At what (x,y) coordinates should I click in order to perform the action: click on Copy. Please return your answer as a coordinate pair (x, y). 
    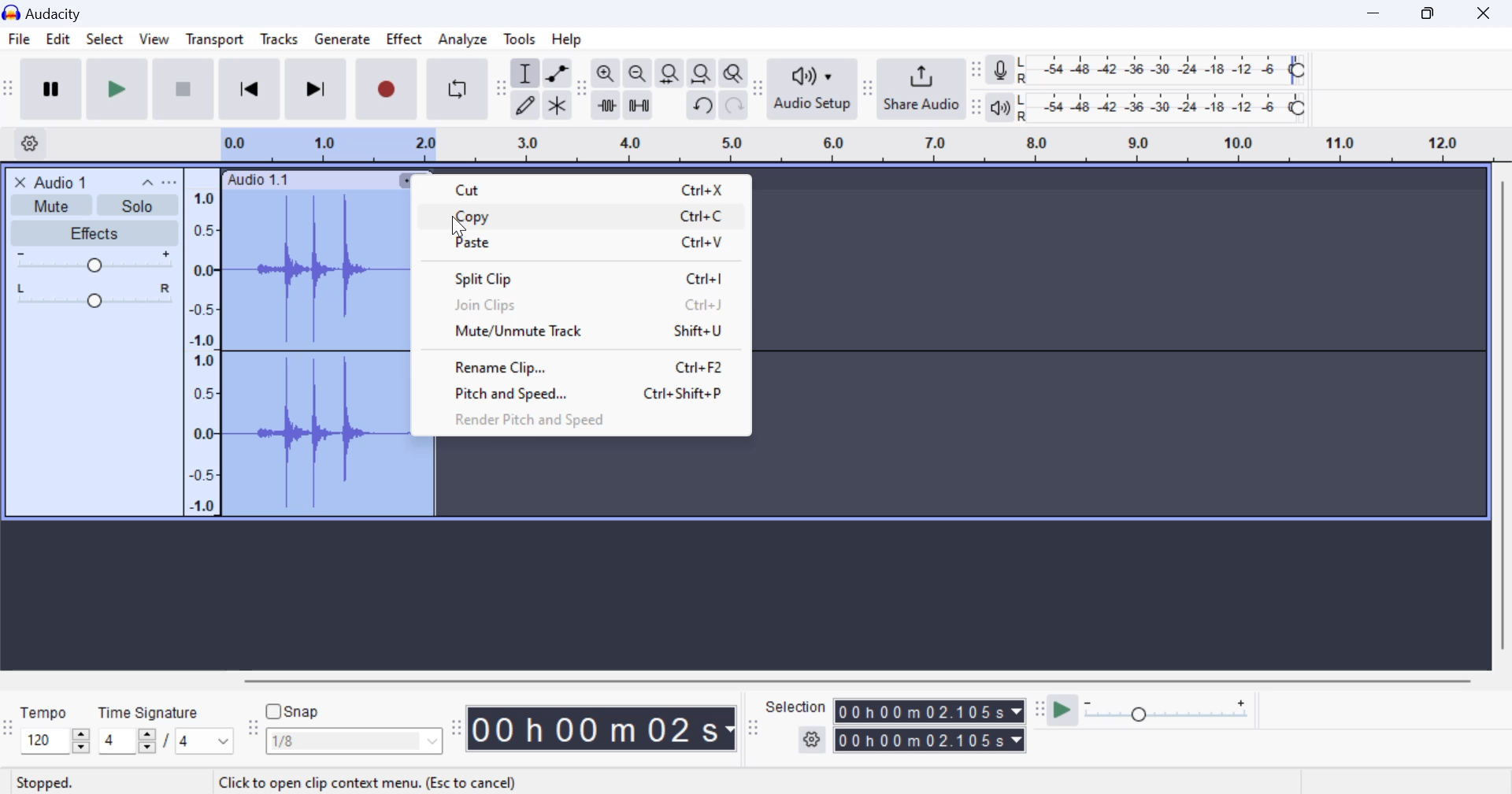
    Looking at the image, I should click on (580, 216).